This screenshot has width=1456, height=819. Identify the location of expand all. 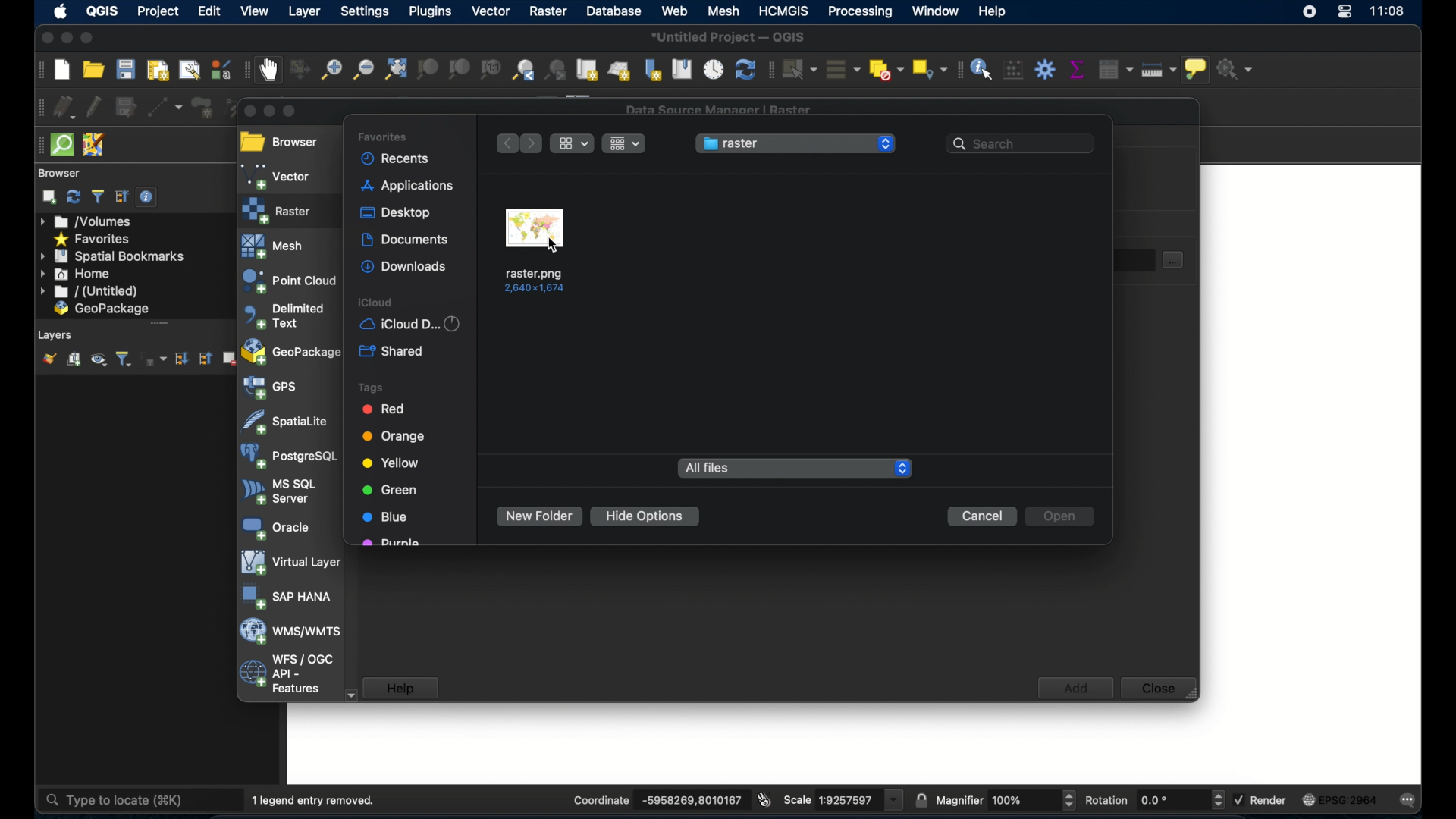
(183, 359).